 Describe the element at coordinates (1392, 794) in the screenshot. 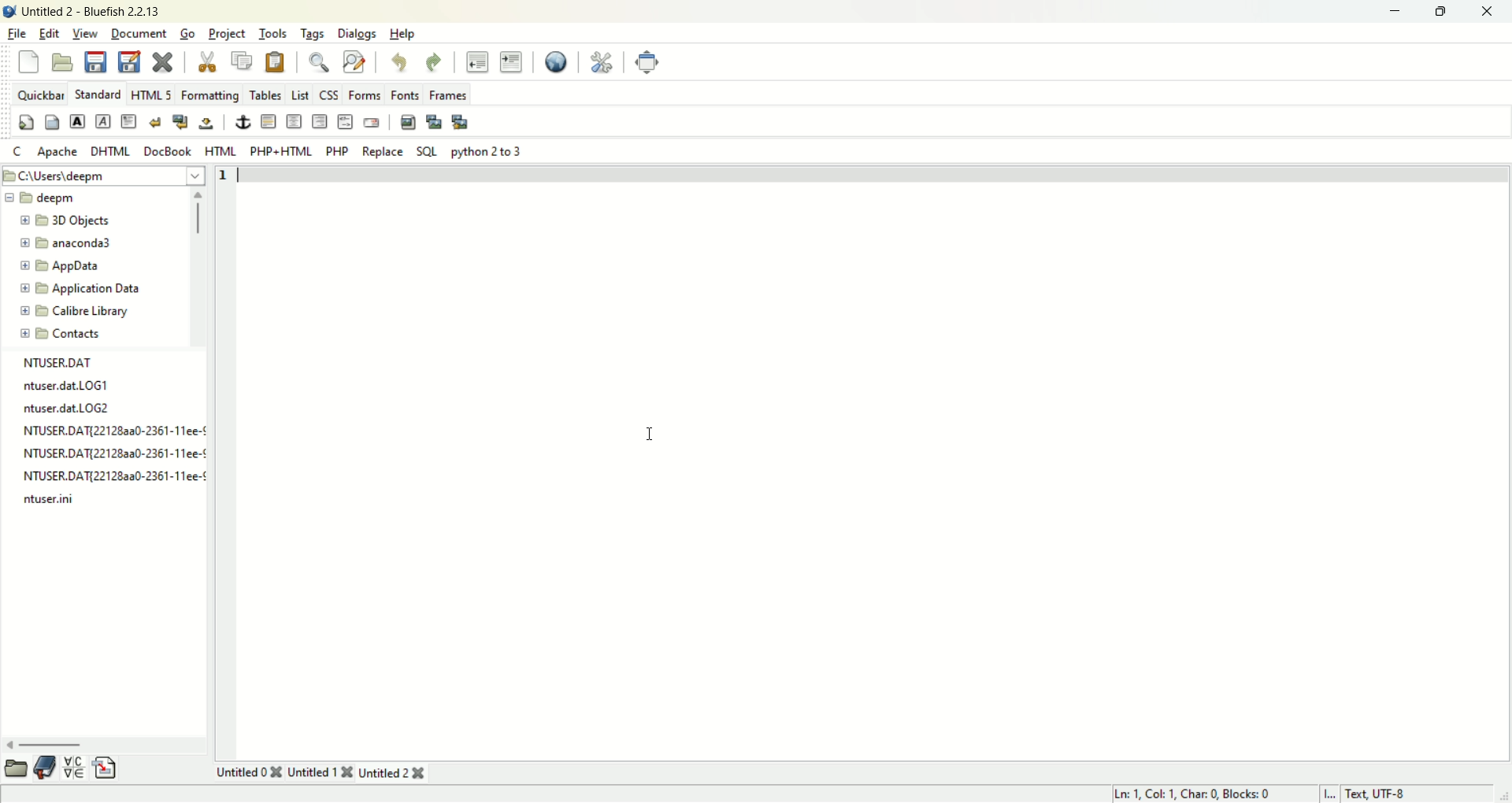

I see `text, UTF-8` at that location.